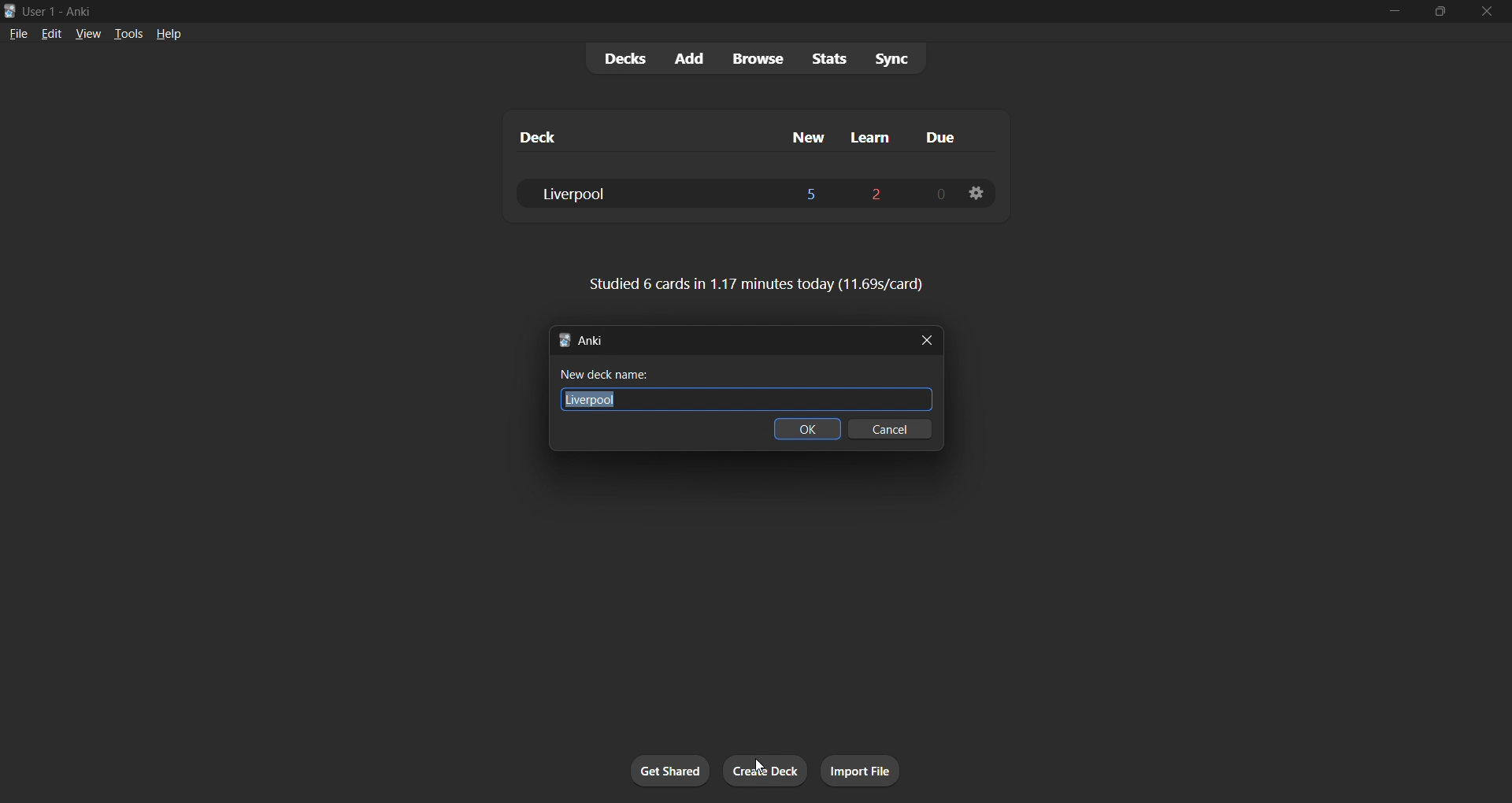  I want to click on deck name column, so click(622, 139).